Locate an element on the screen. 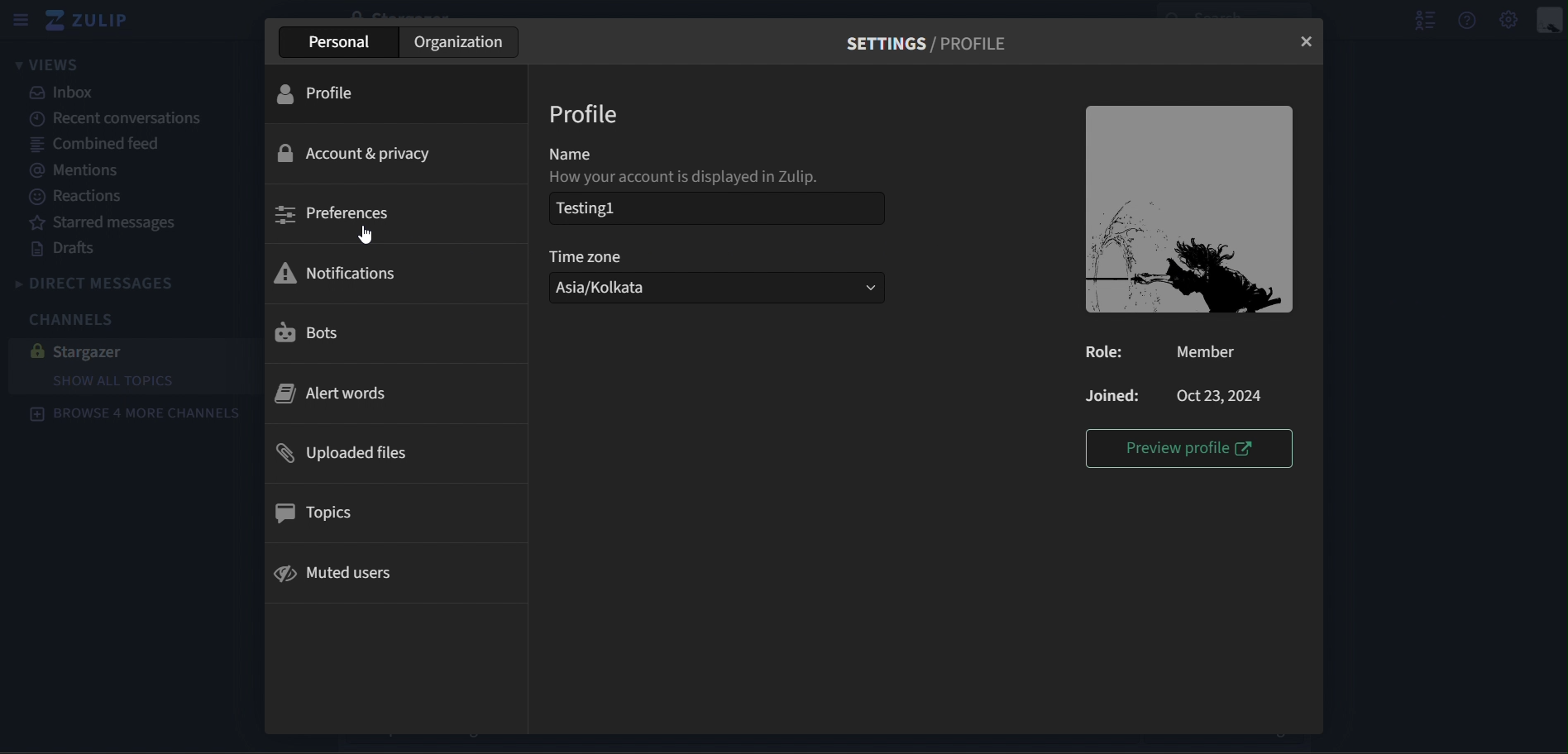 The width and height of the screenshot is (1568, 754). name is located at coordinates (591, 153).